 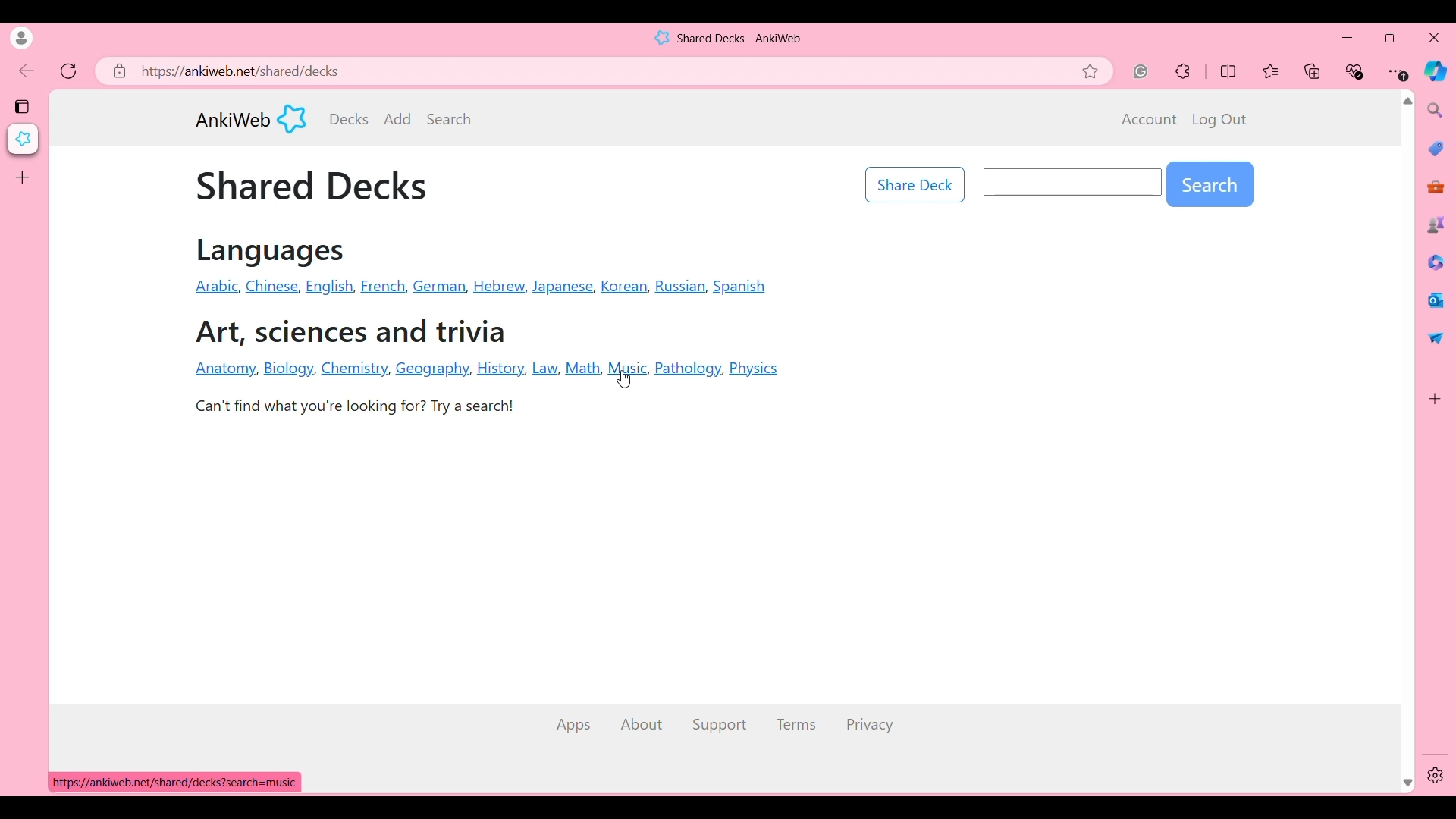 What do you see at coordinates (758, 369) in the screenshot?
I see `Physics` at bounding box center [758, 369].